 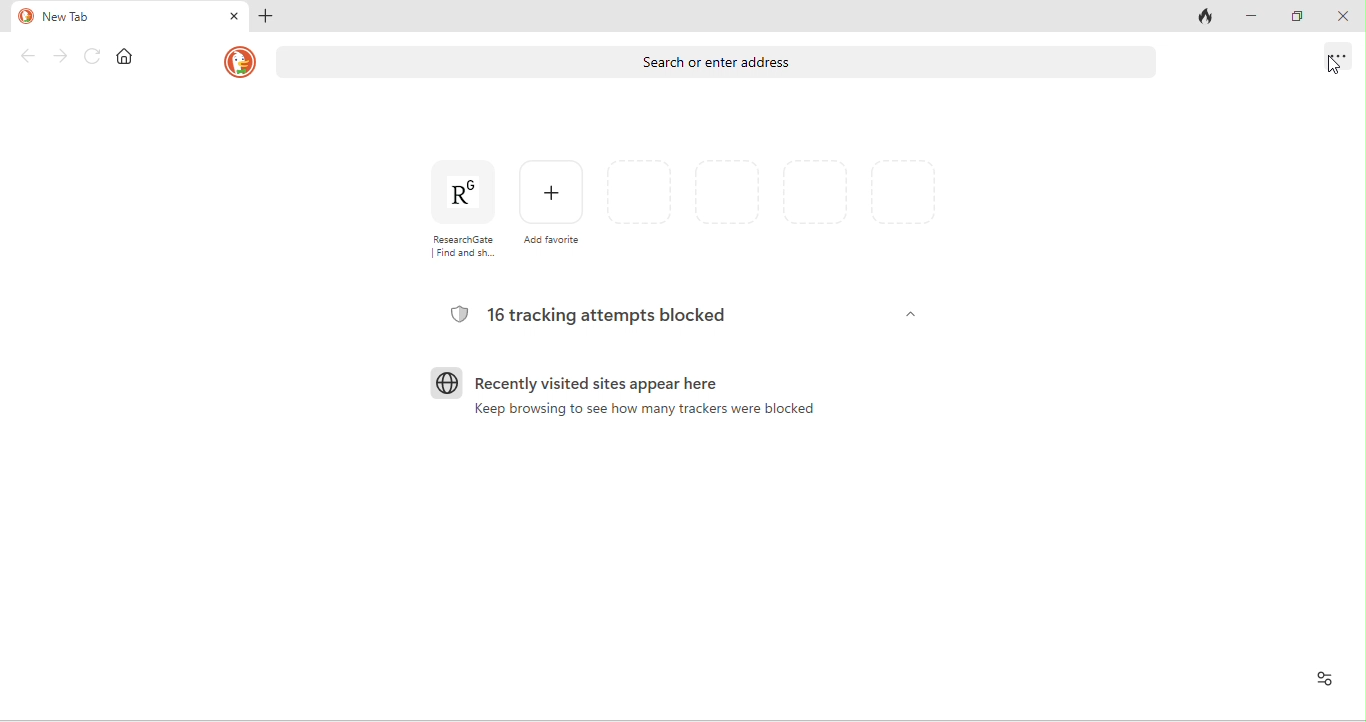 What do you see at coordinates (1320, 678) in the screenshot?
I see `options` at bounding box center [1320, 678].